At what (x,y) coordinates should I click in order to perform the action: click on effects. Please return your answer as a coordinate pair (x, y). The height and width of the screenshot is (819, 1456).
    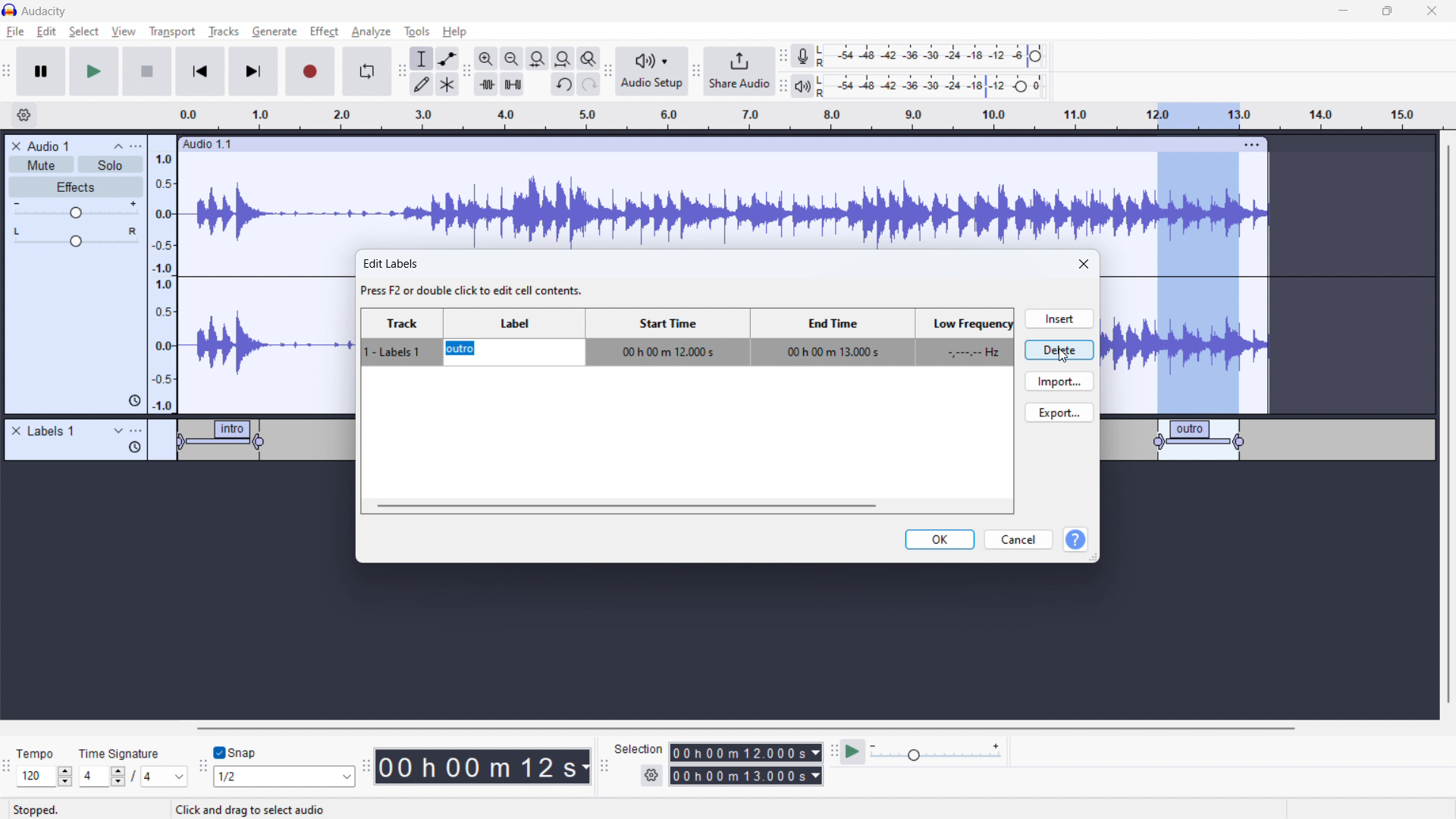
    Looking at the image, I should click on (77, 187).